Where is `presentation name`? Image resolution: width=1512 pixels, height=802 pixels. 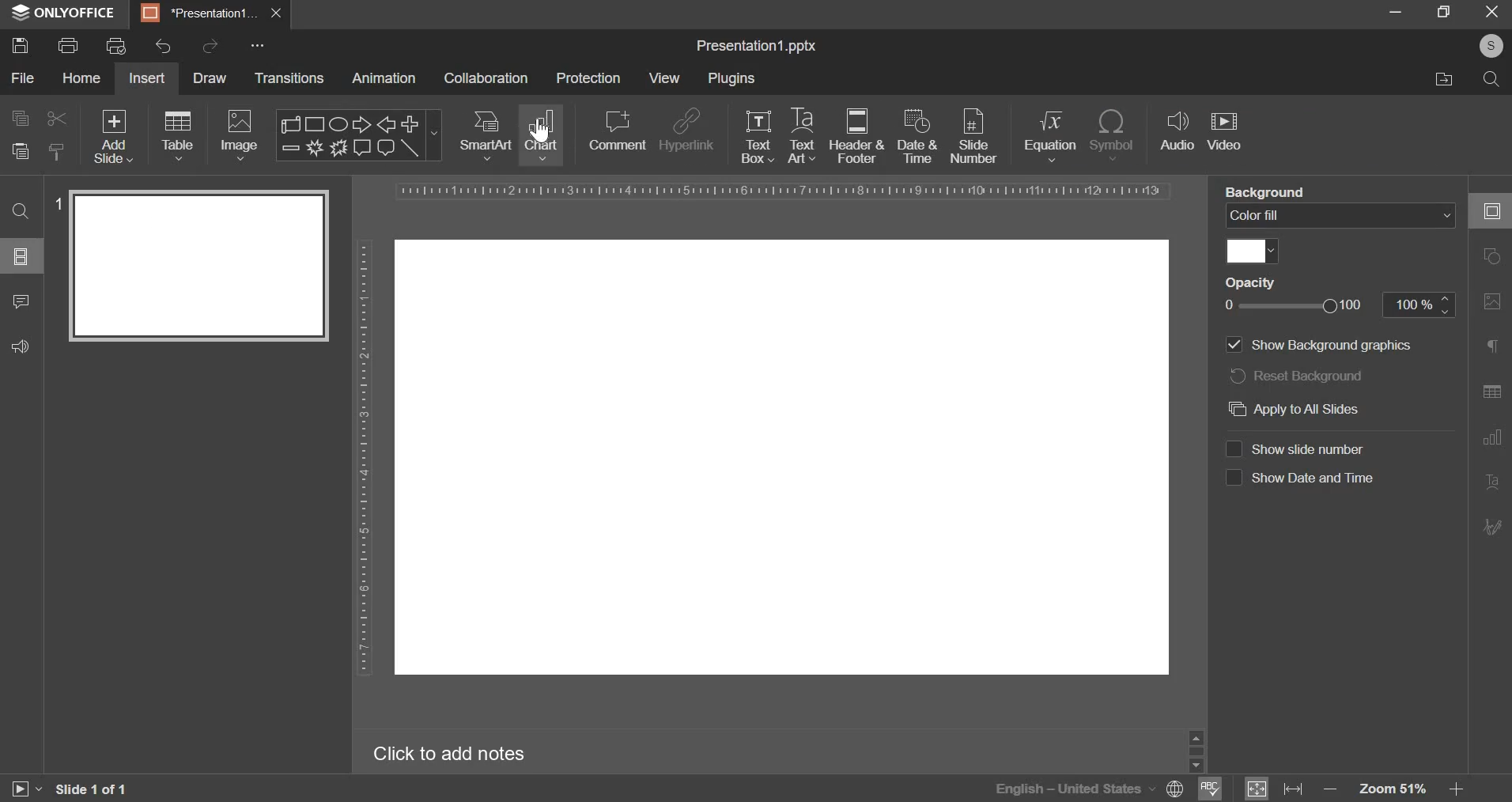
presentation name is located at coordinates (757, 46).